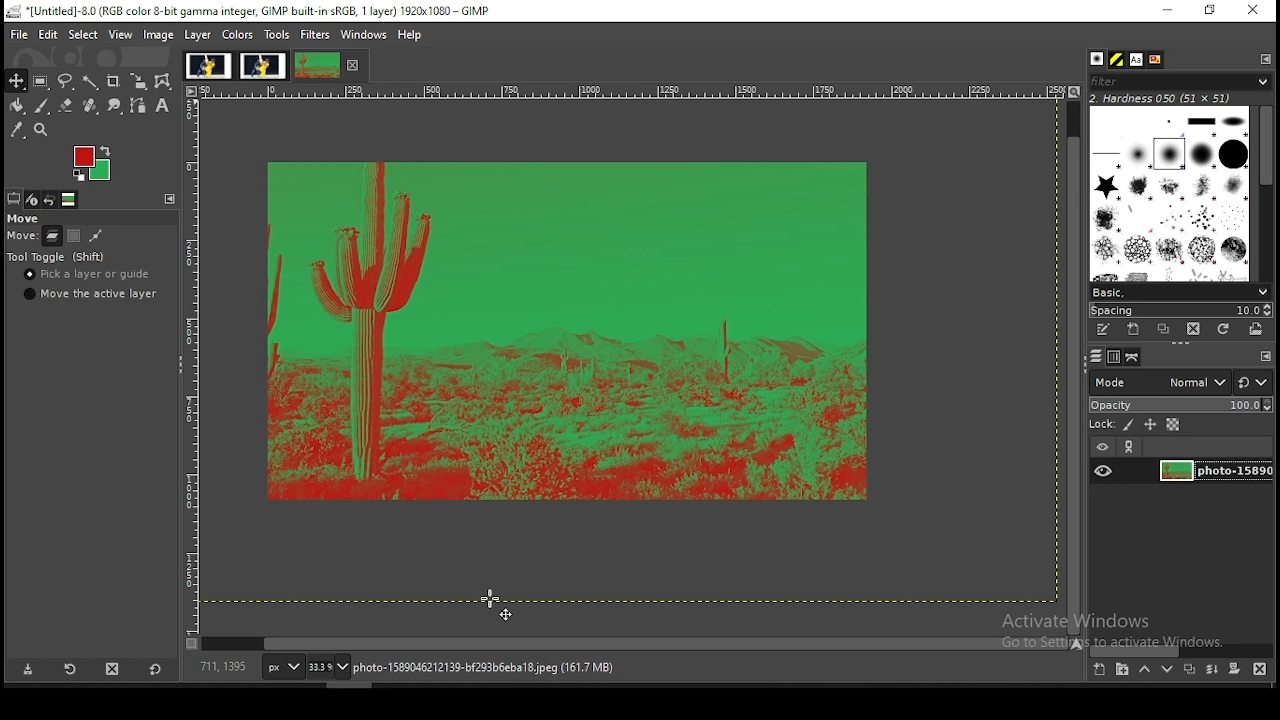  Describe the element at coordinates (1188, 669) in the screenshot. I see `duplicate this layer` at that location.